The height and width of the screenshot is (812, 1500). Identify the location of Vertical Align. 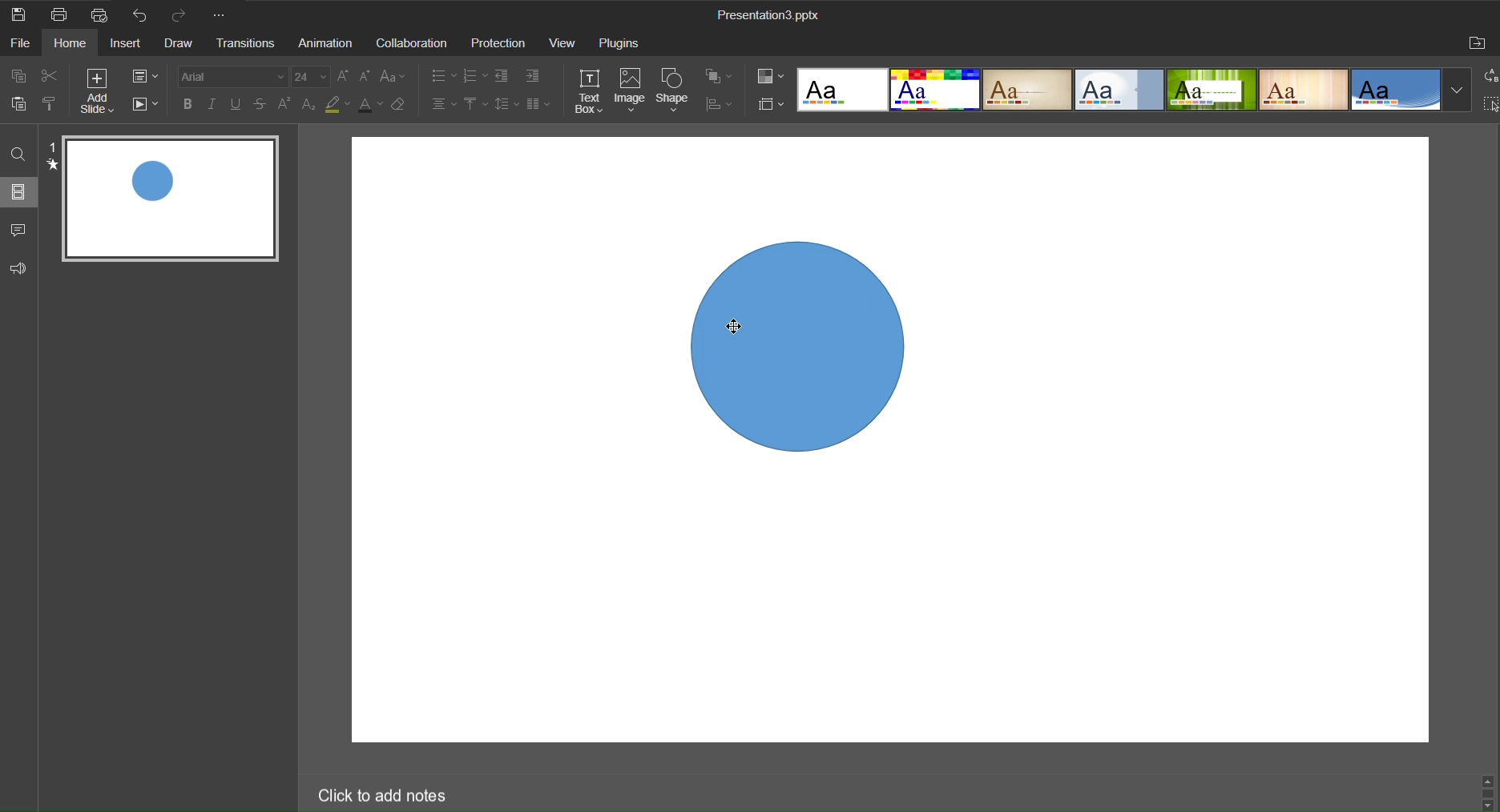
(477, 107).